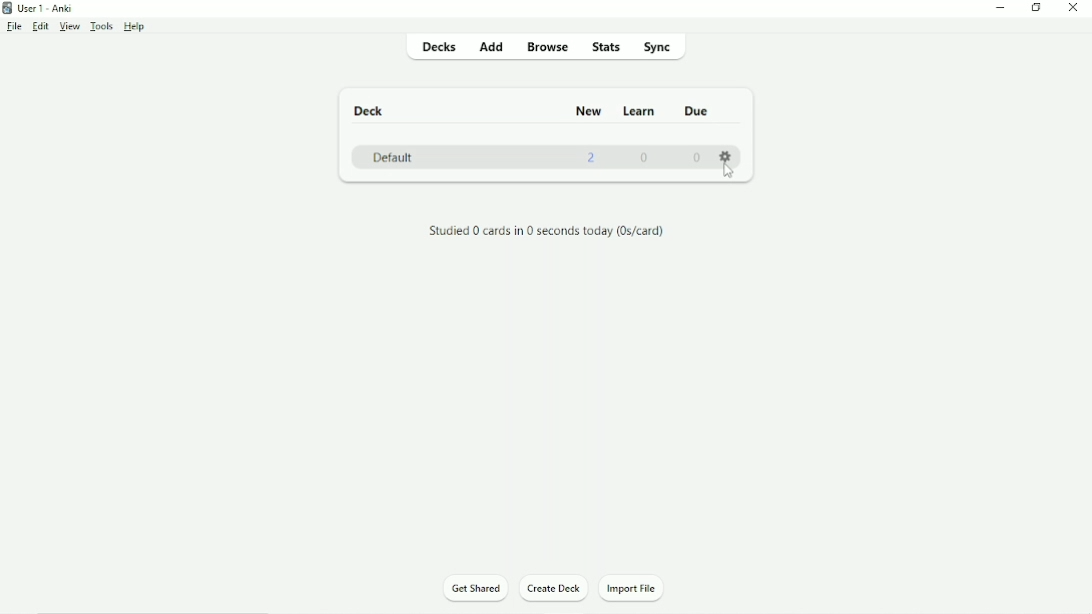  I want to click on Edit, so click(40, 26).